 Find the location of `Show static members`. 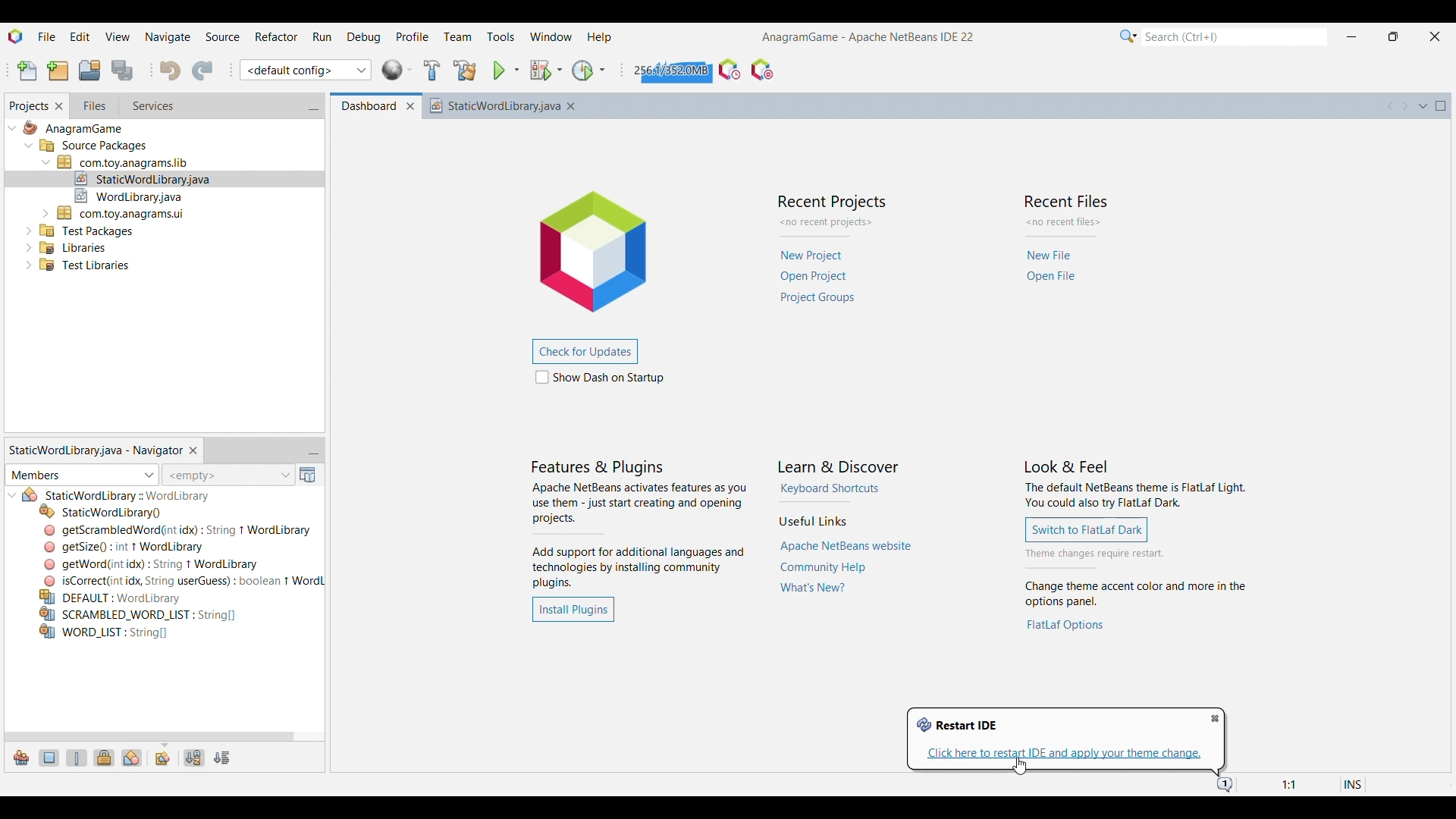

Show static members is located at coordinates (77, 758).